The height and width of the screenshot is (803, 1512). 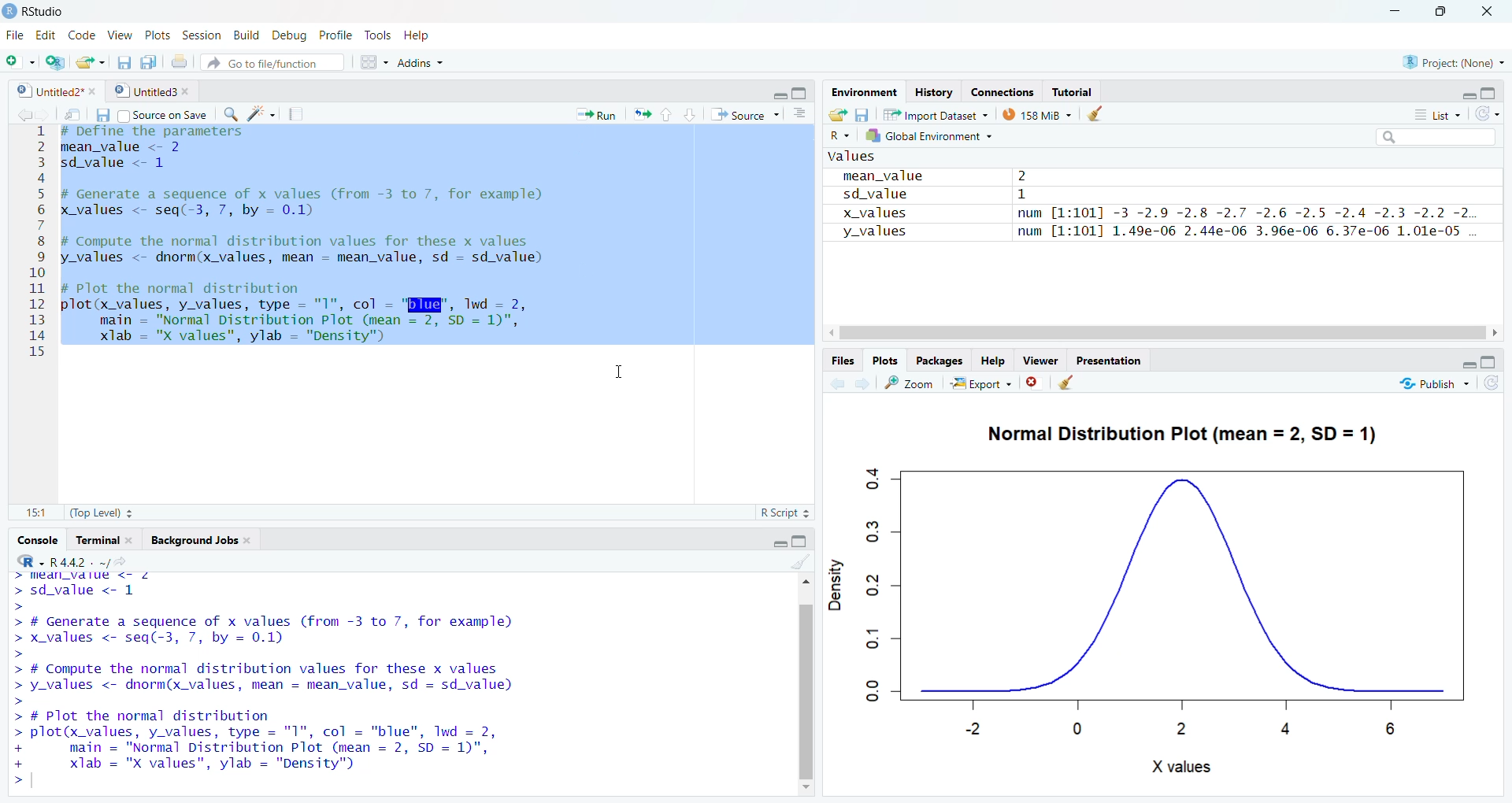 I want to click on remove current viewer, so click(x=1033, y=382).